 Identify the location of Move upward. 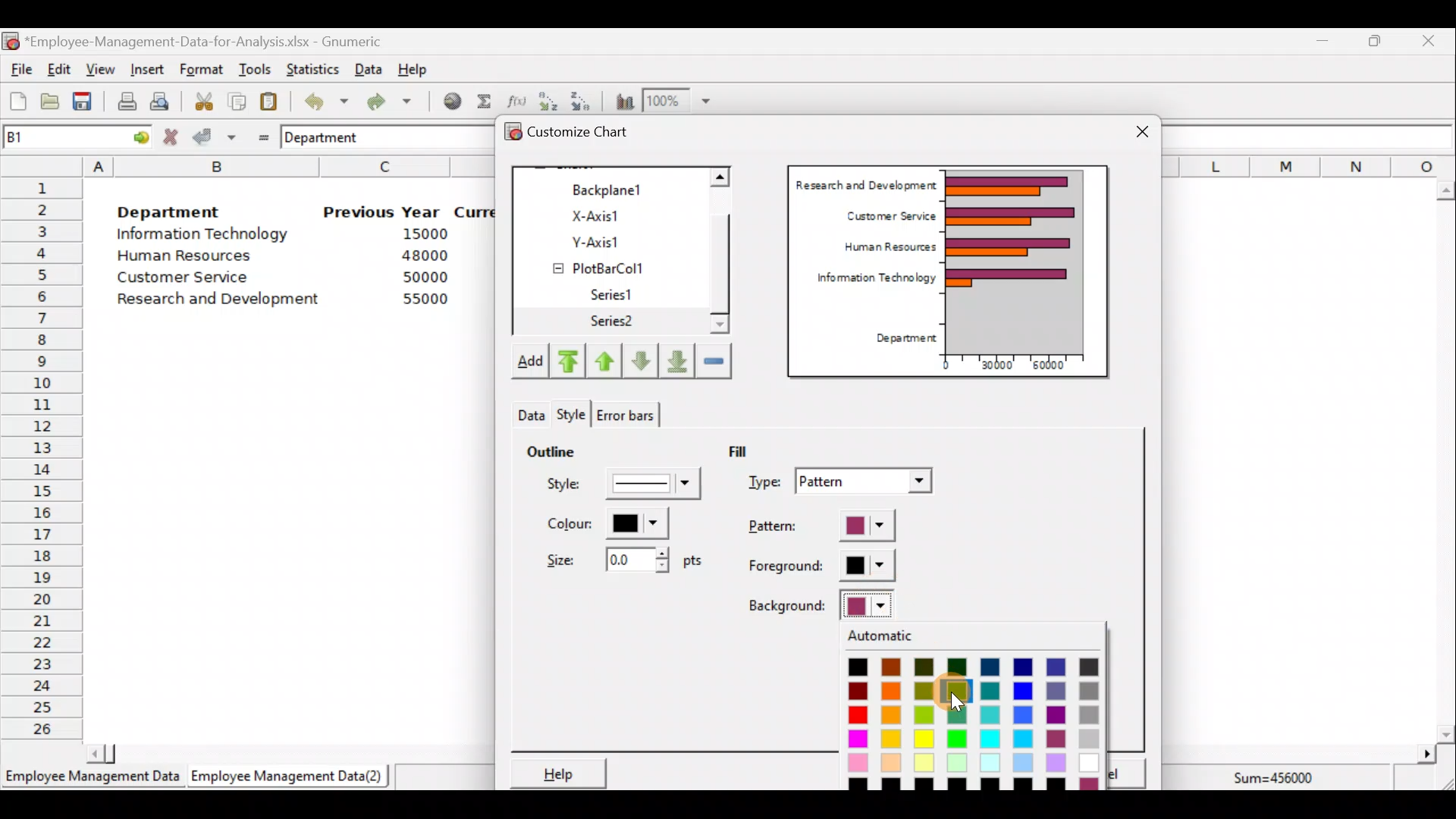
(566, 362).